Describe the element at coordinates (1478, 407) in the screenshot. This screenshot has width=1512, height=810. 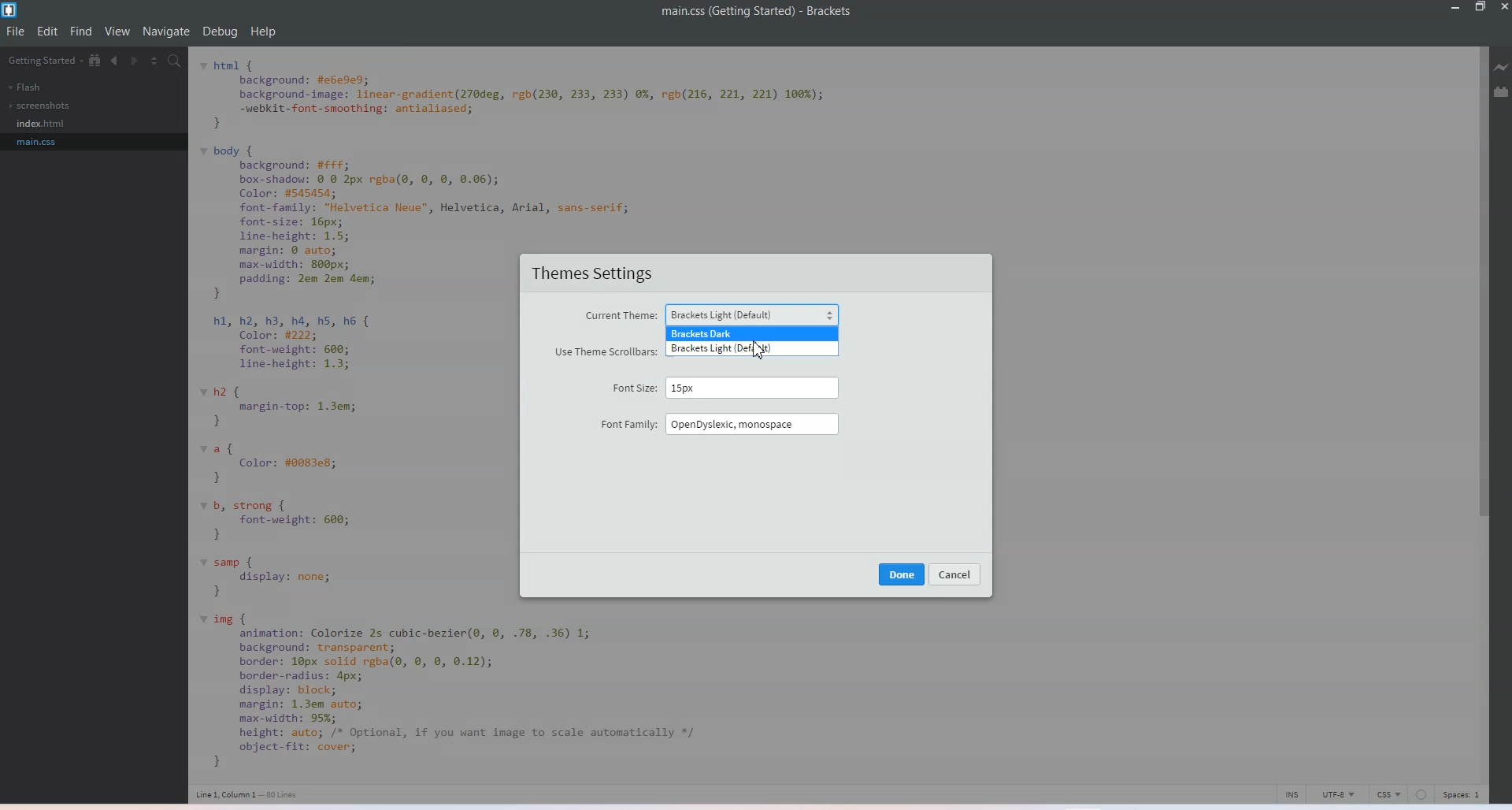
I see `Vertical scroll bar` at that location.